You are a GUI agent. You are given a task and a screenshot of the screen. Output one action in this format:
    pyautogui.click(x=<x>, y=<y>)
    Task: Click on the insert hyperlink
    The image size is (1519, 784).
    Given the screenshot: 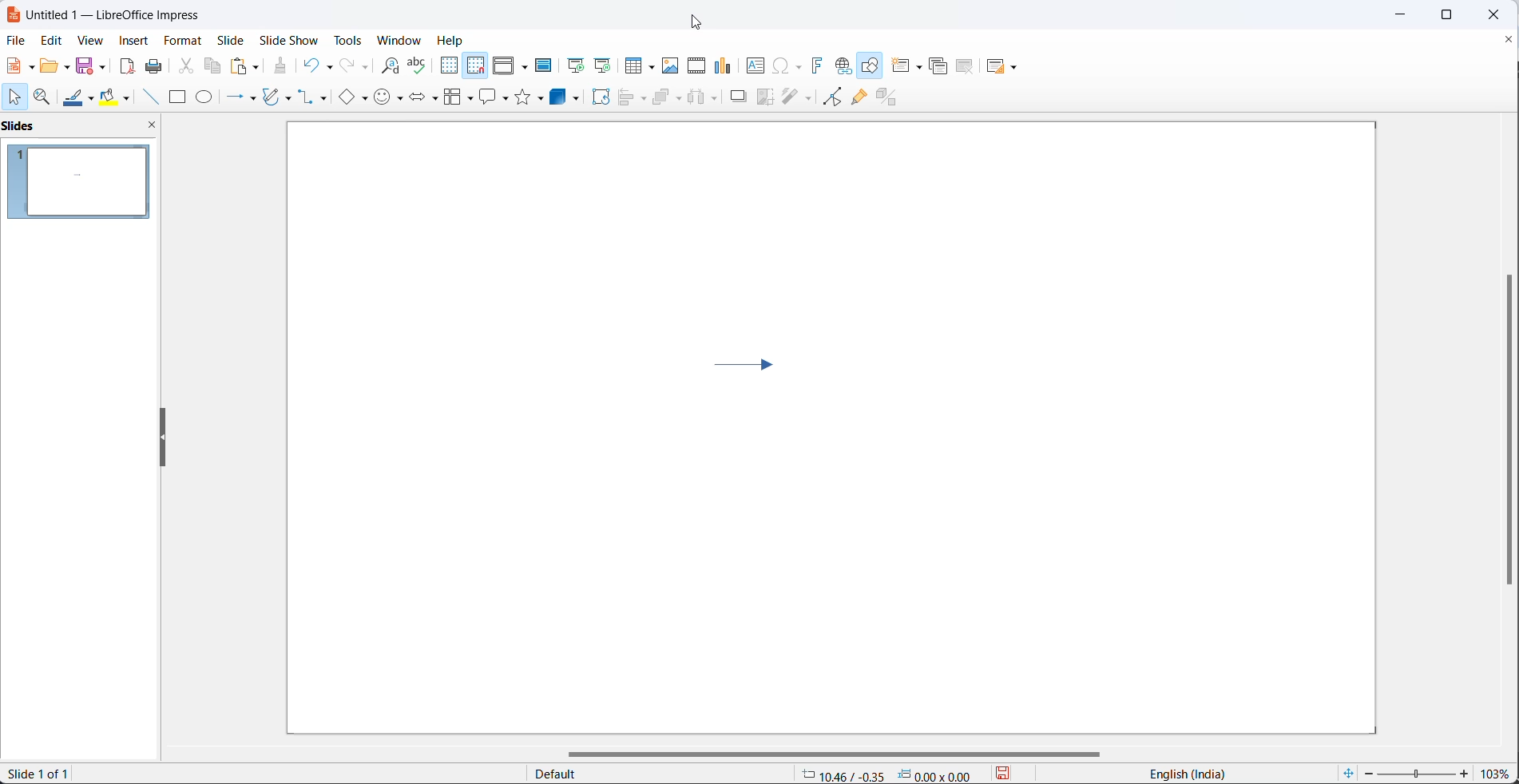 What is the action you would take?
    pyautogui.click(x=842, y=66)
    